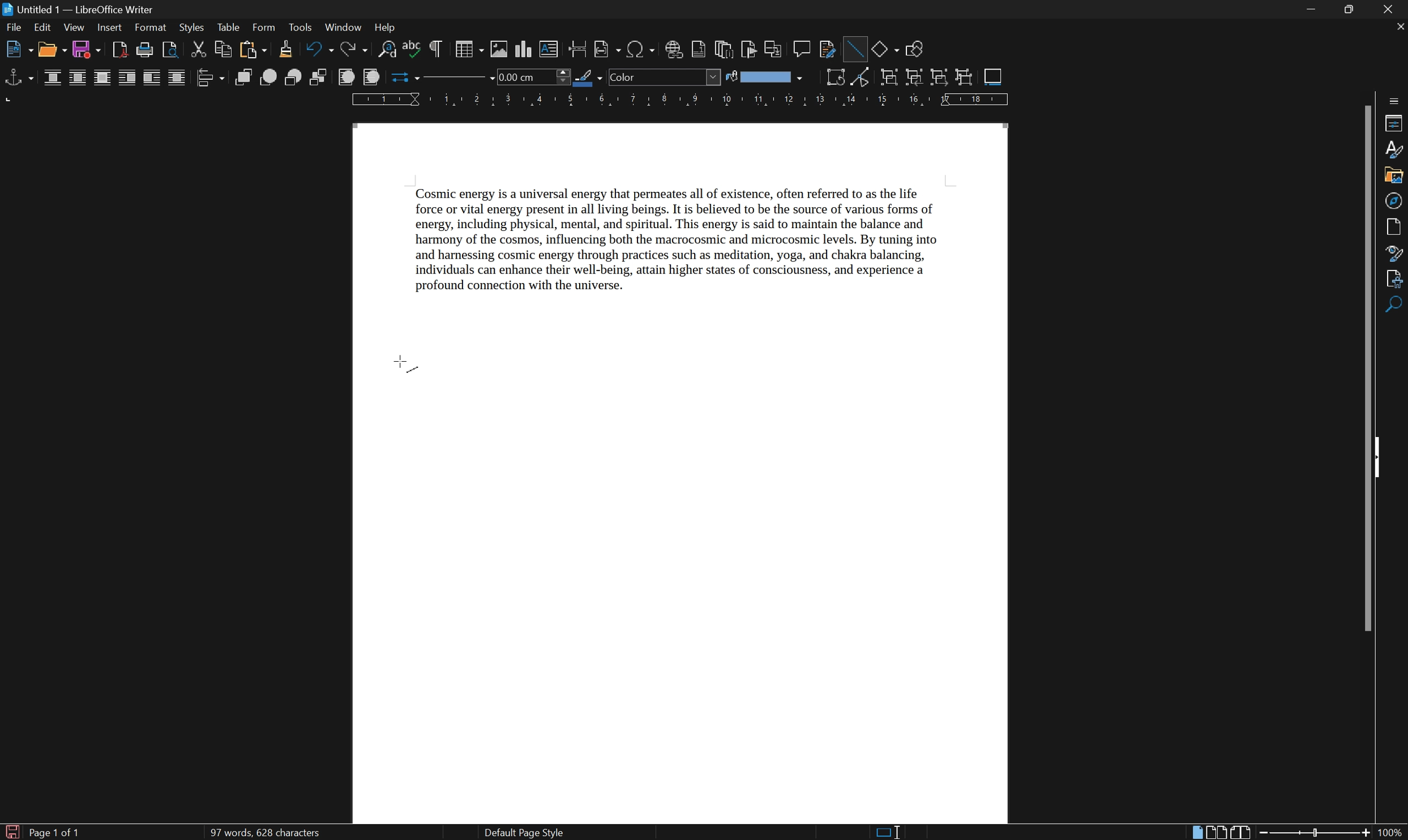 The image size is (1408, 840). I want to click on ungroup, so click(965, 78).